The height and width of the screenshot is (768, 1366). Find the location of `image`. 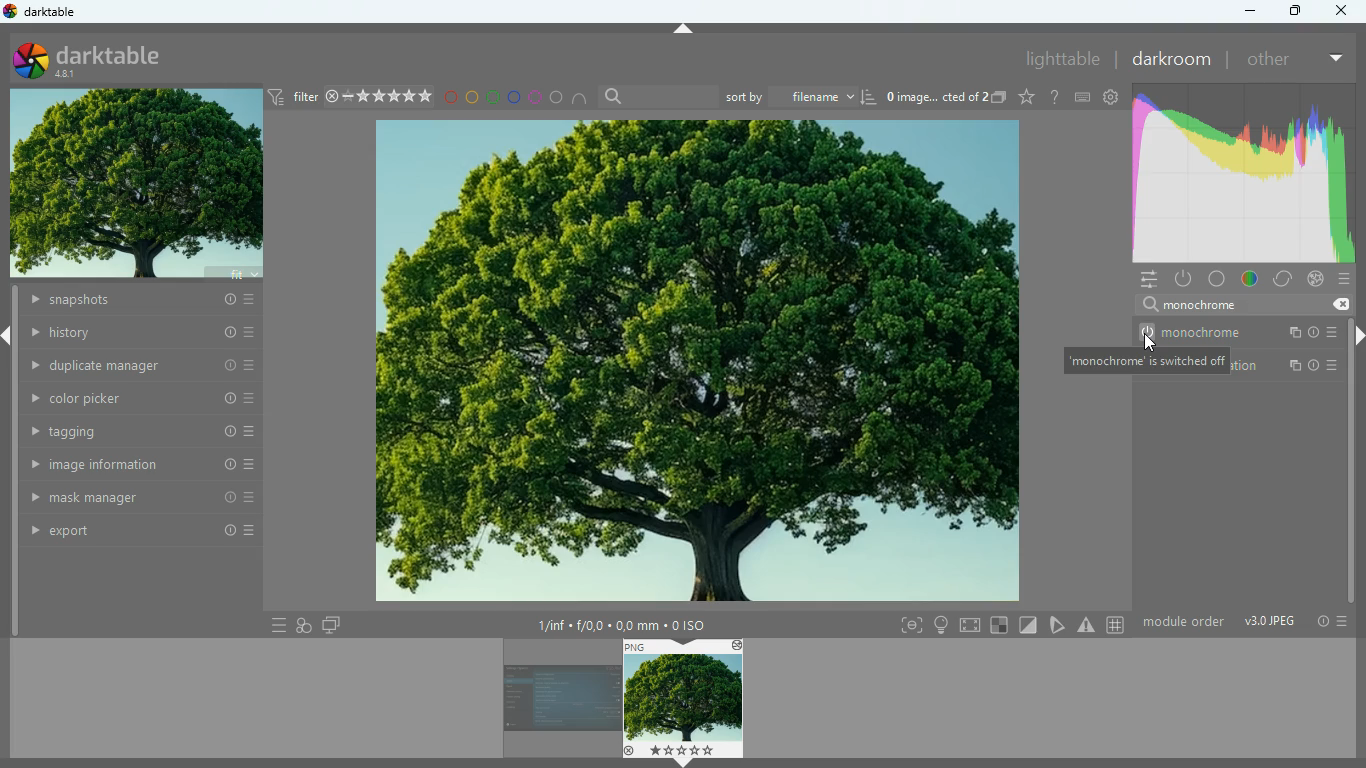

image is located at coordinates (553, 700).